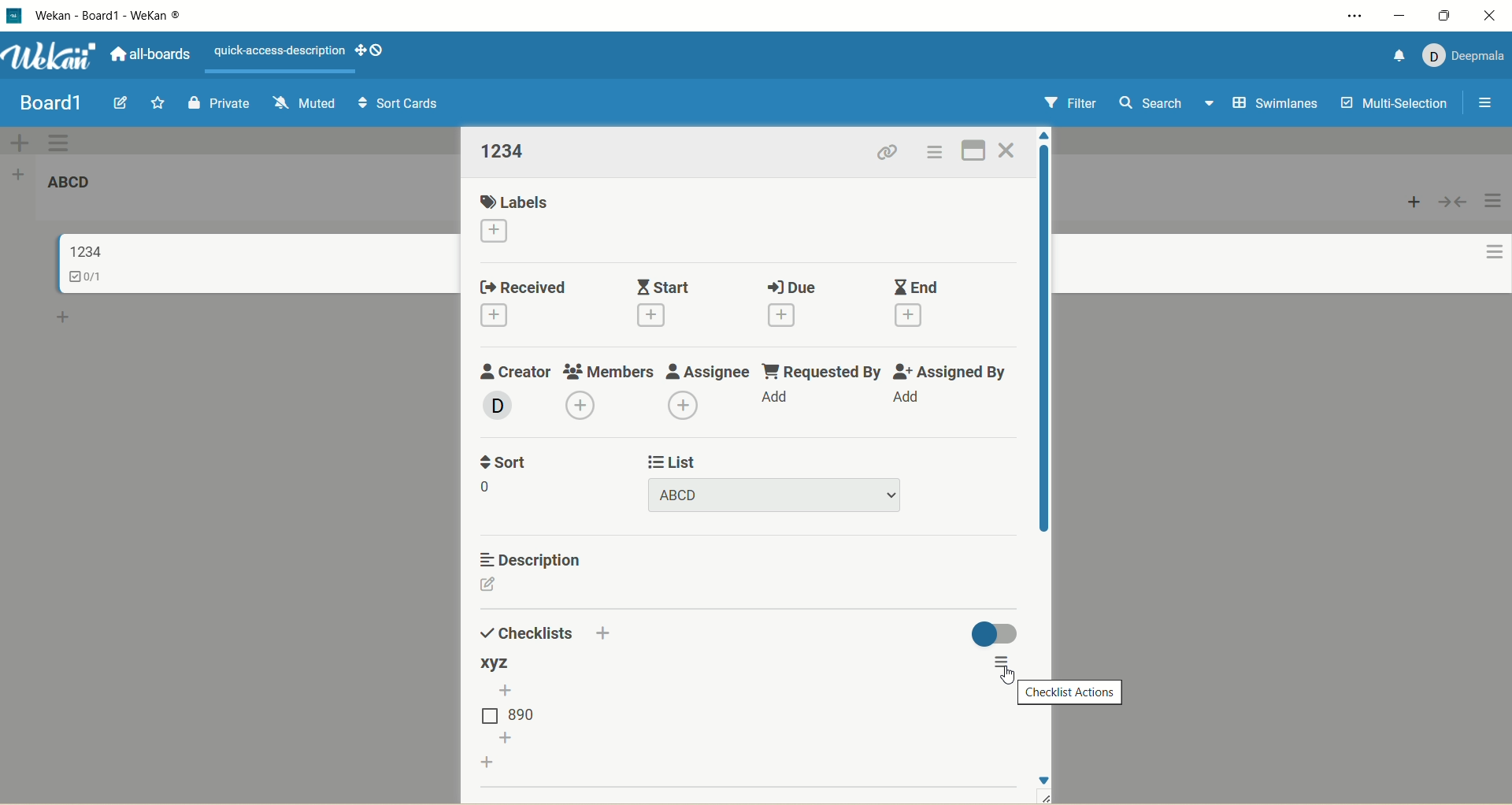 This screenshot has width=1512, height=805. I want to click on add card, so click(1412, 204).